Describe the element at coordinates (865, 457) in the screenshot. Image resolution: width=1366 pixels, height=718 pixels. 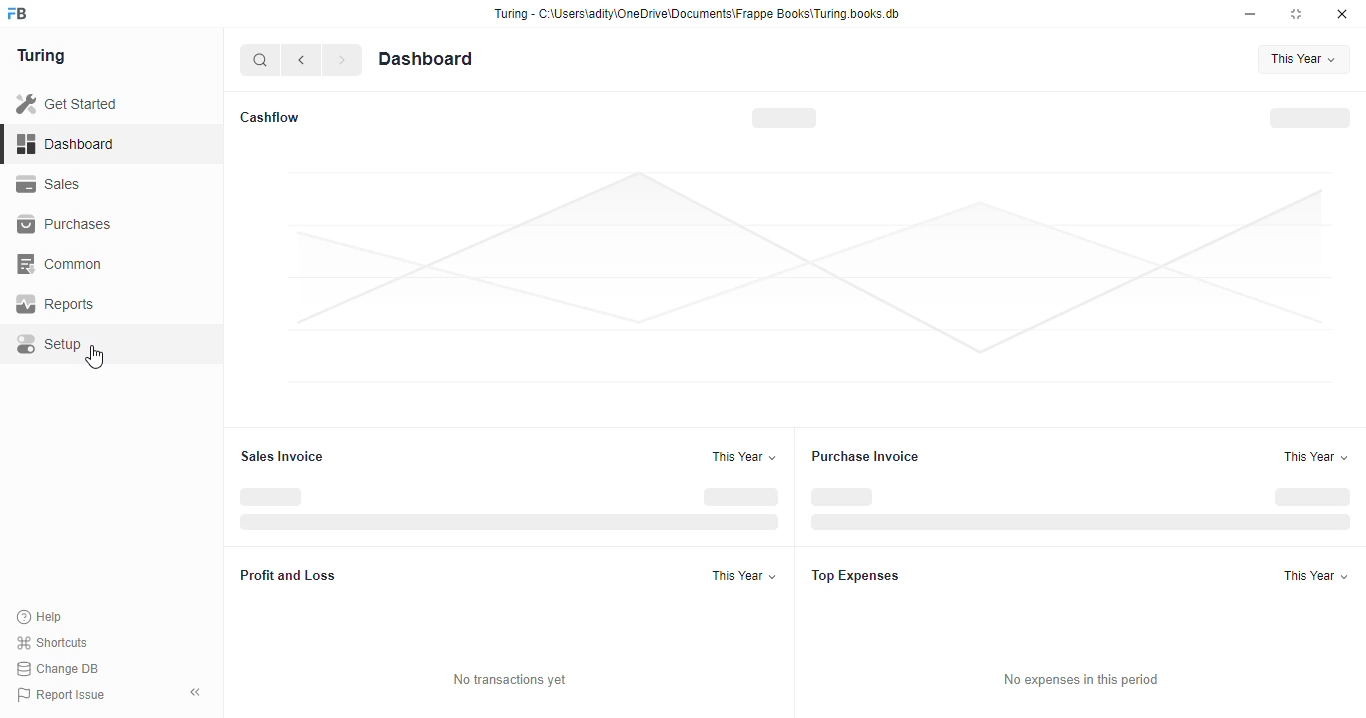
I see `Purchase Invoice` at that location.